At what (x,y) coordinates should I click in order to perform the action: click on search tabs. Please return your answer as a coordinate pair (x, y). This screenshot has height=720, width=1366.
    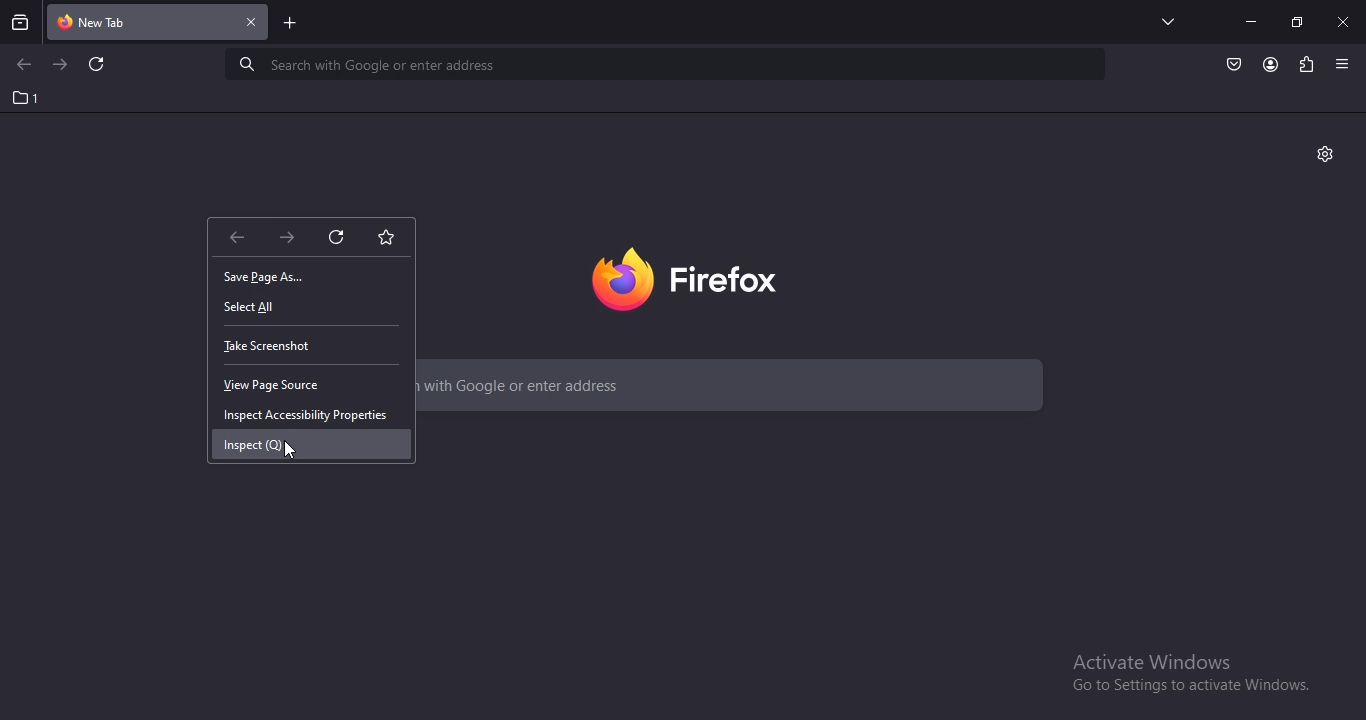
    Looking at the image, I should click on (21, 22).